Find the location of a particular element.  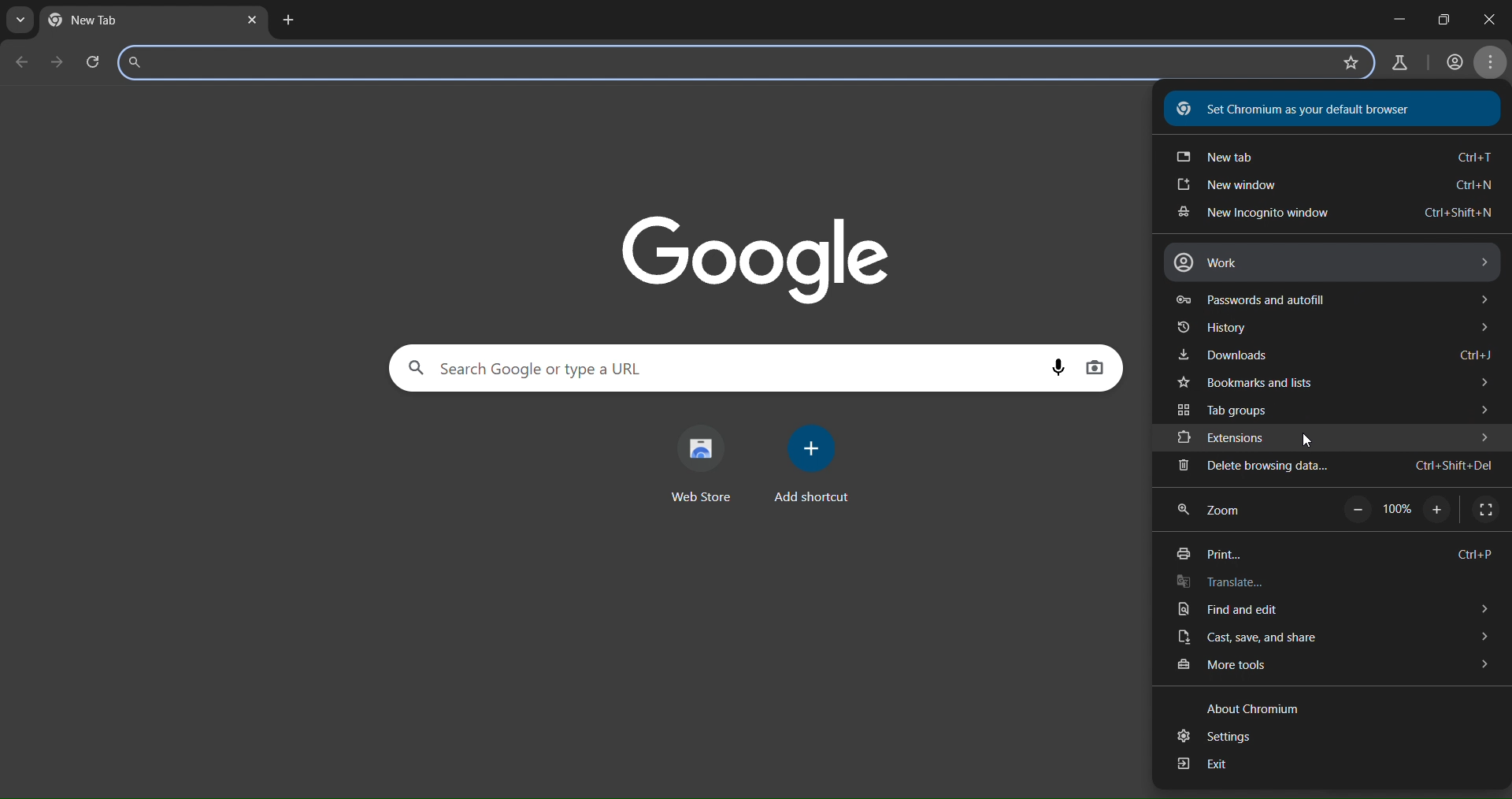

delete browsing data is located at coordinates (1333, 469).